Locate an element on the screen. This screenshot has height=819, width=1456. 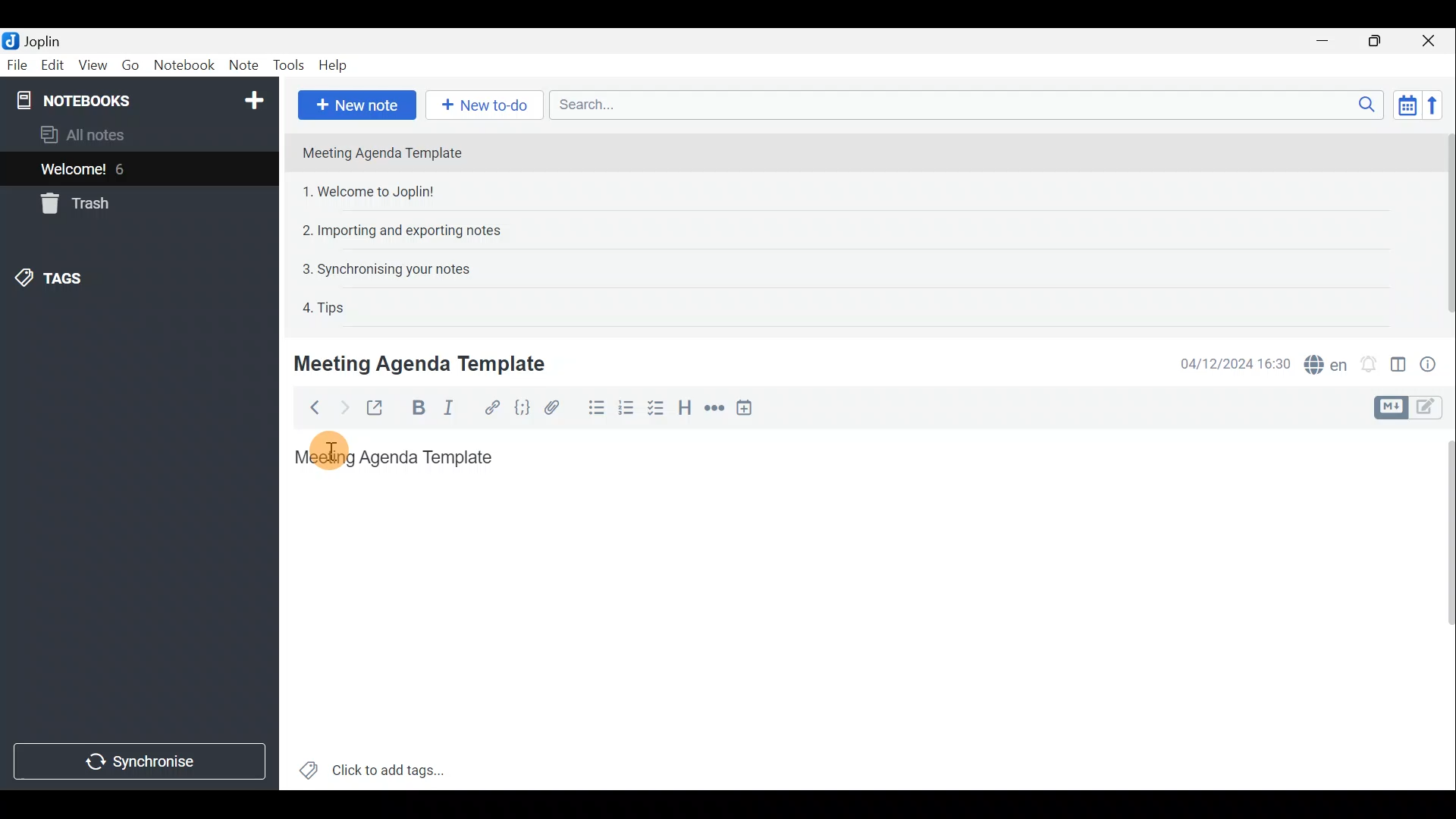
Spell checker is located at coordinates (1327, 362).